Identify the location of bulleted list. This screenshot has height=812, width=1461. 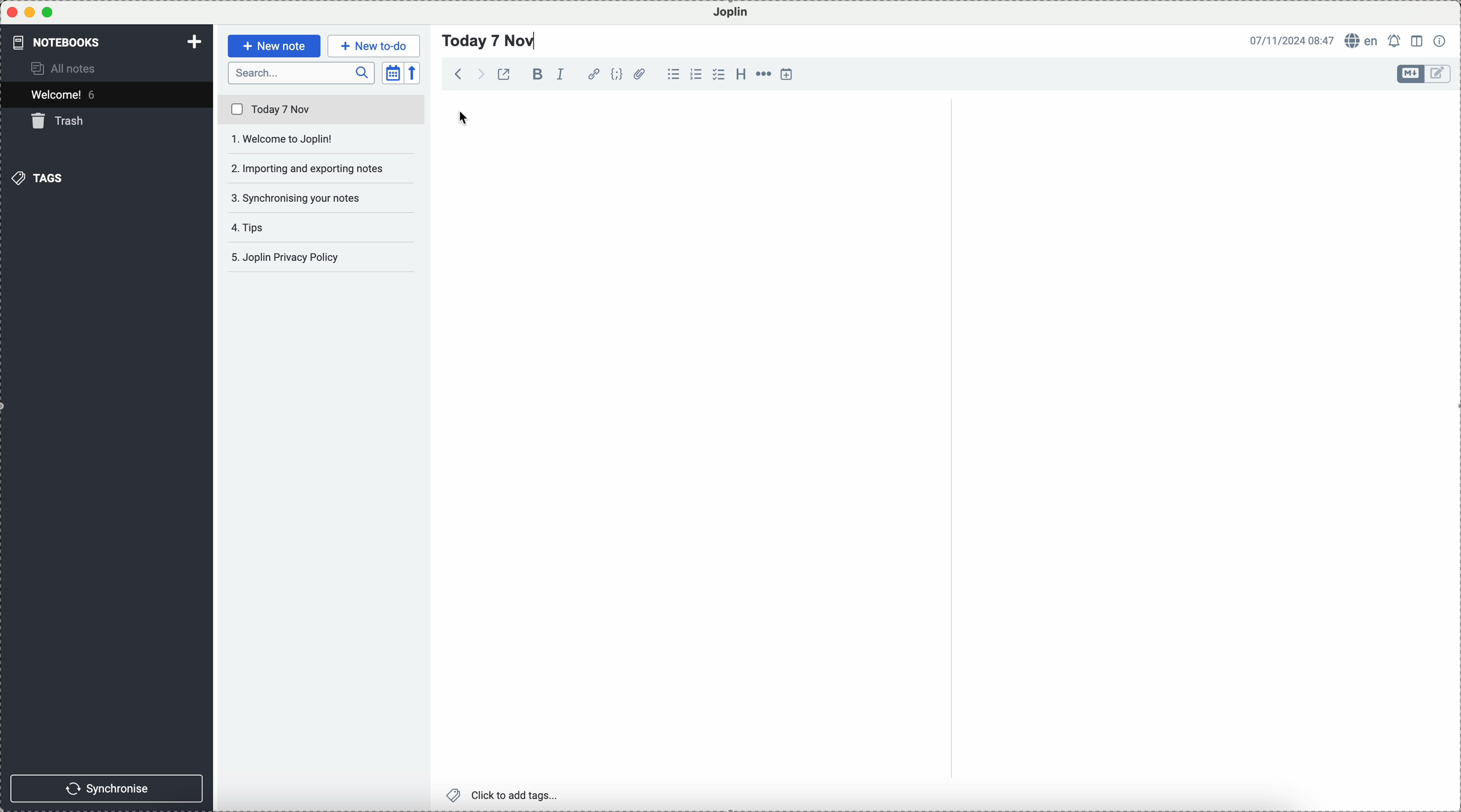
(673, 74).